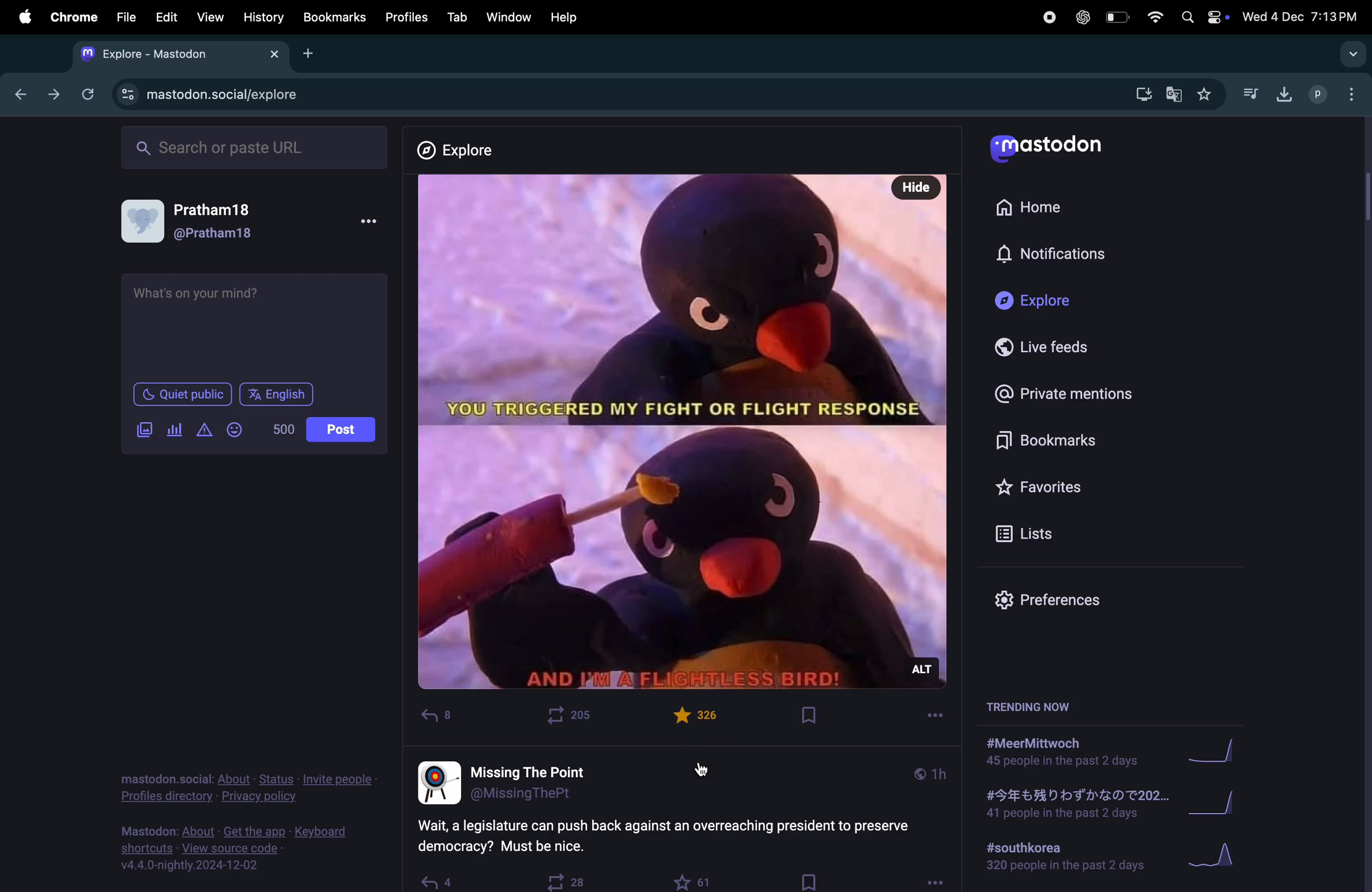 The height and width of the screenshot is (892, 1372). I want to click on English, so click(277, 396).